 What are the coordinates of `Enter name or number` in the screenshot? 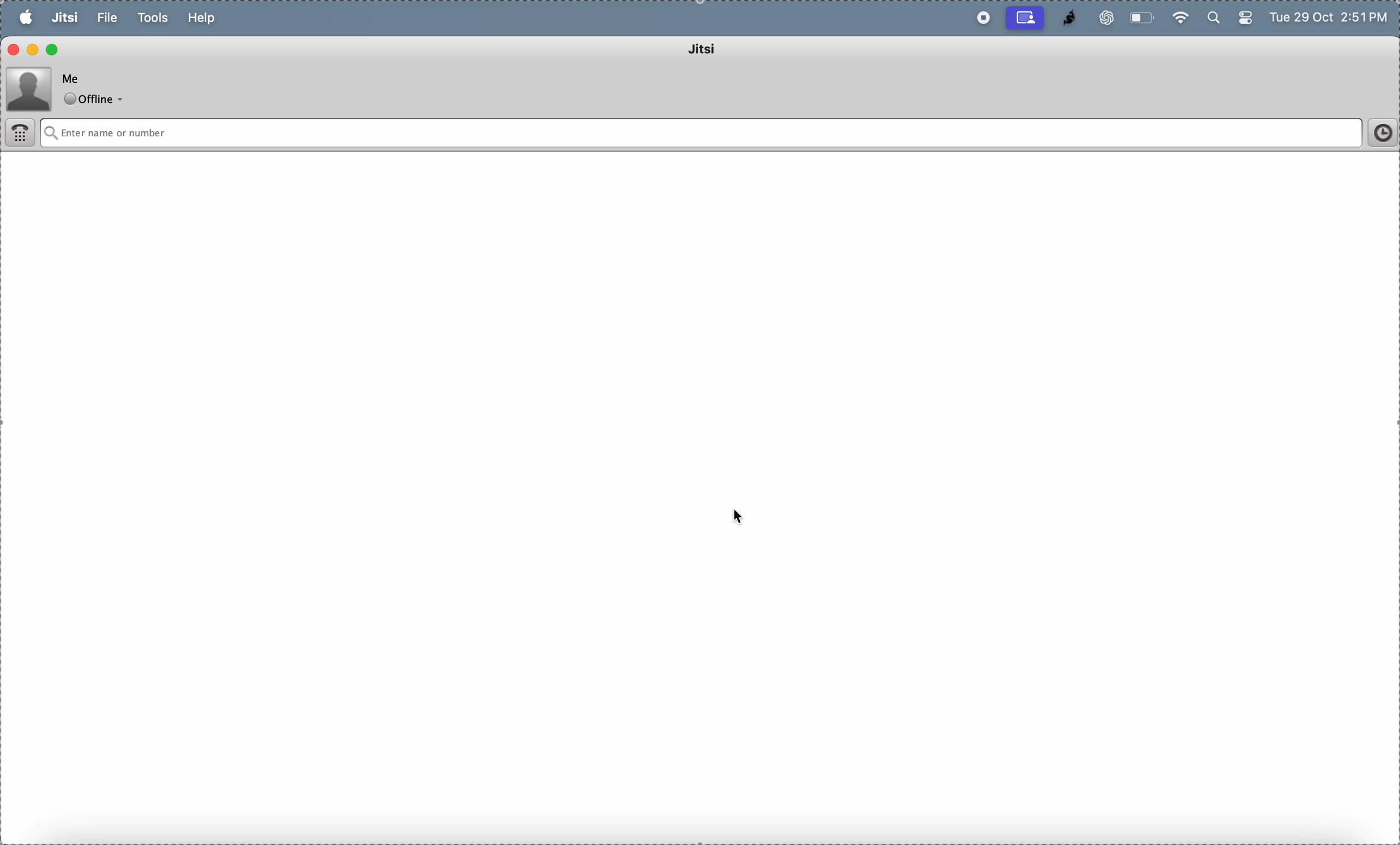 It's located at (640, 133).